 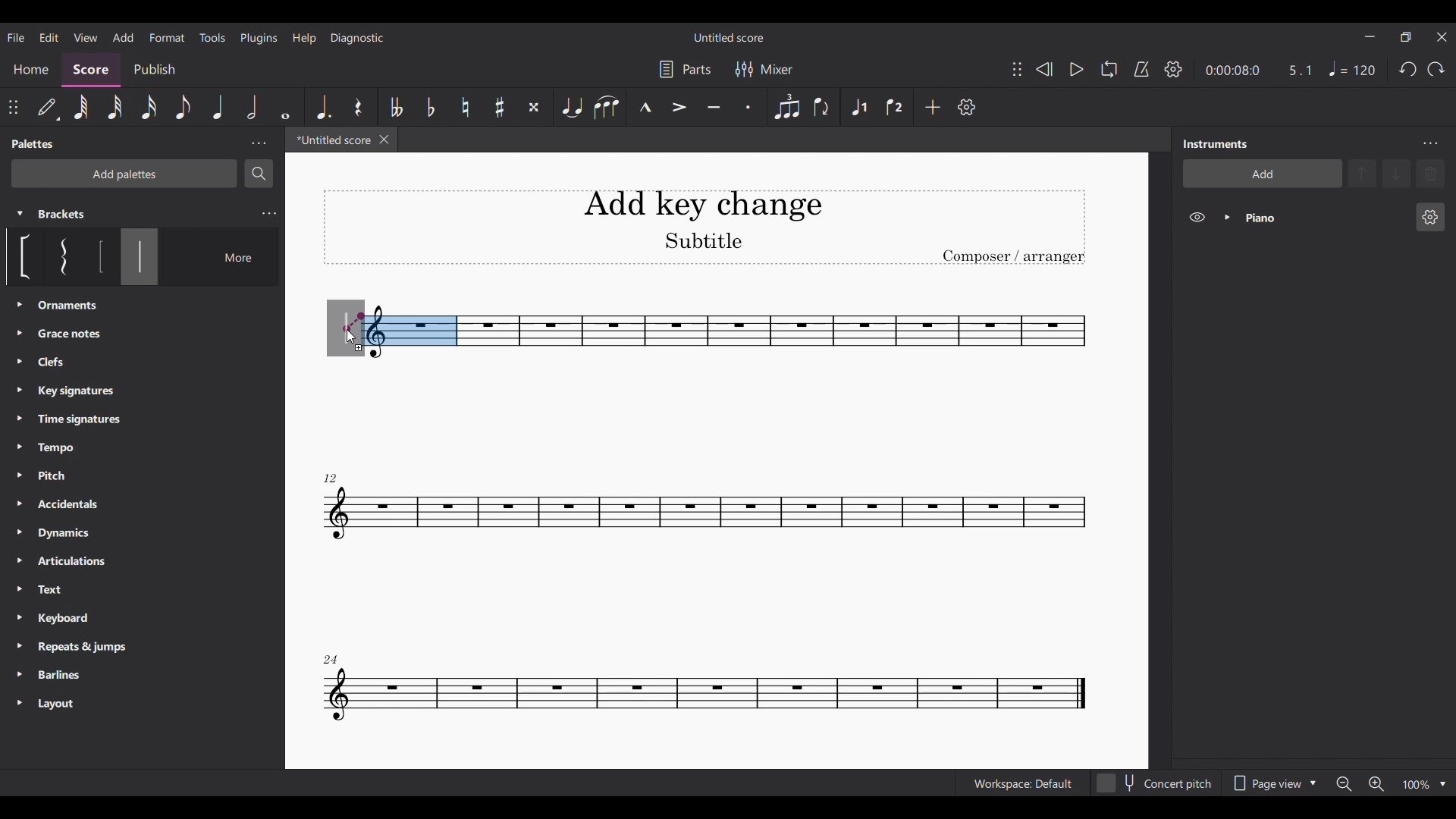 I want to click on Current tab, so click(x=331, y=140).